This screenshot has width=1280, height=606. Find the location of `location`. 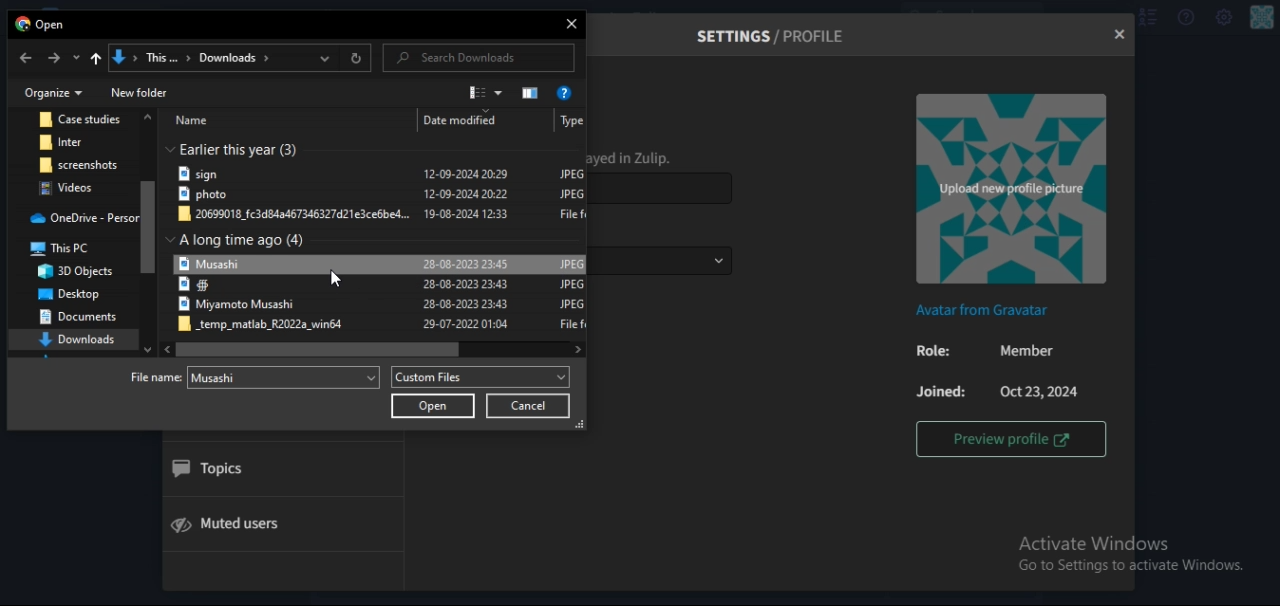

location is located at coordinates (208, 59).